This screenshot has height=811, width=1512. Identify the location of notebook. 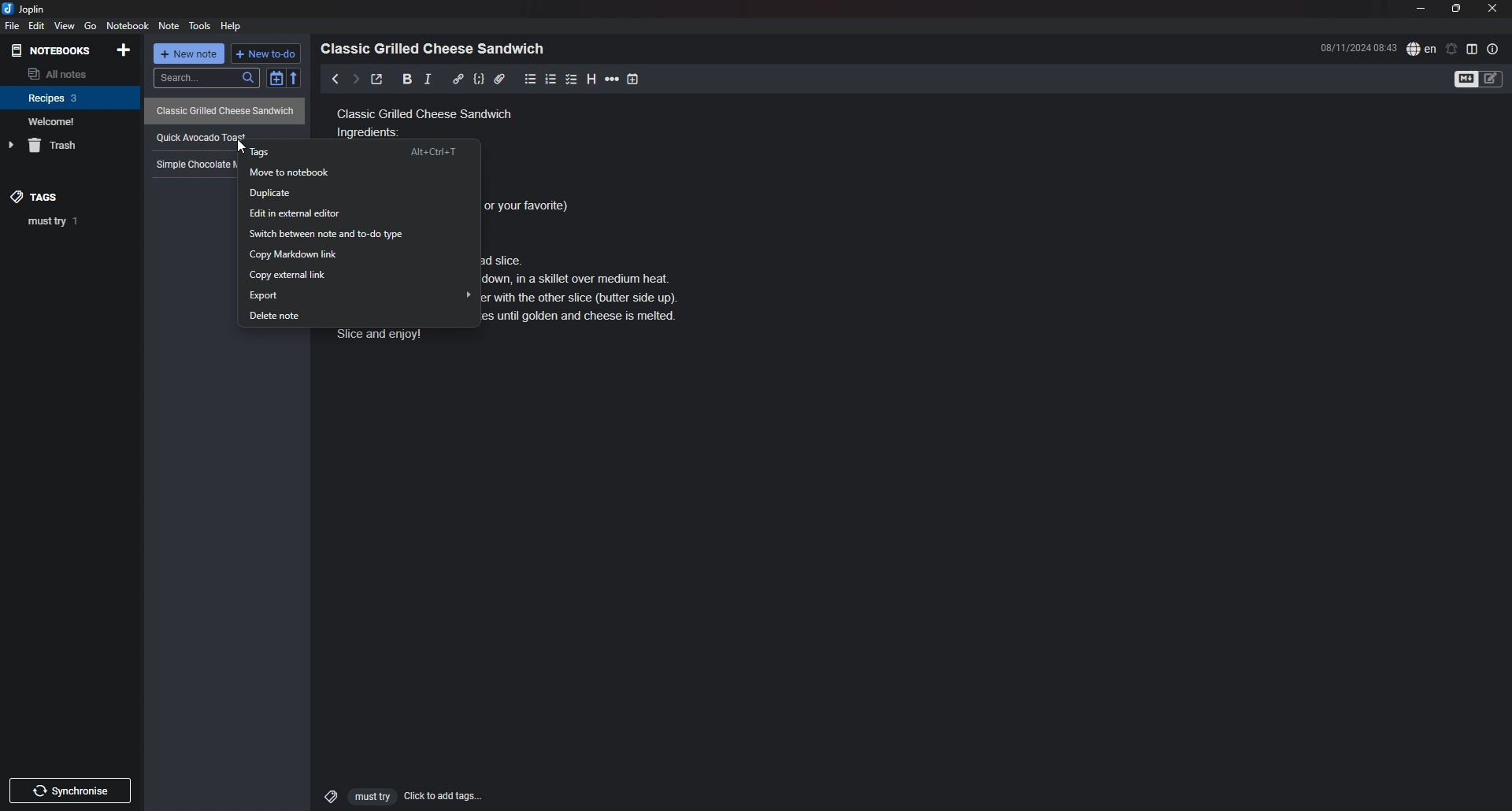
(71, 97).